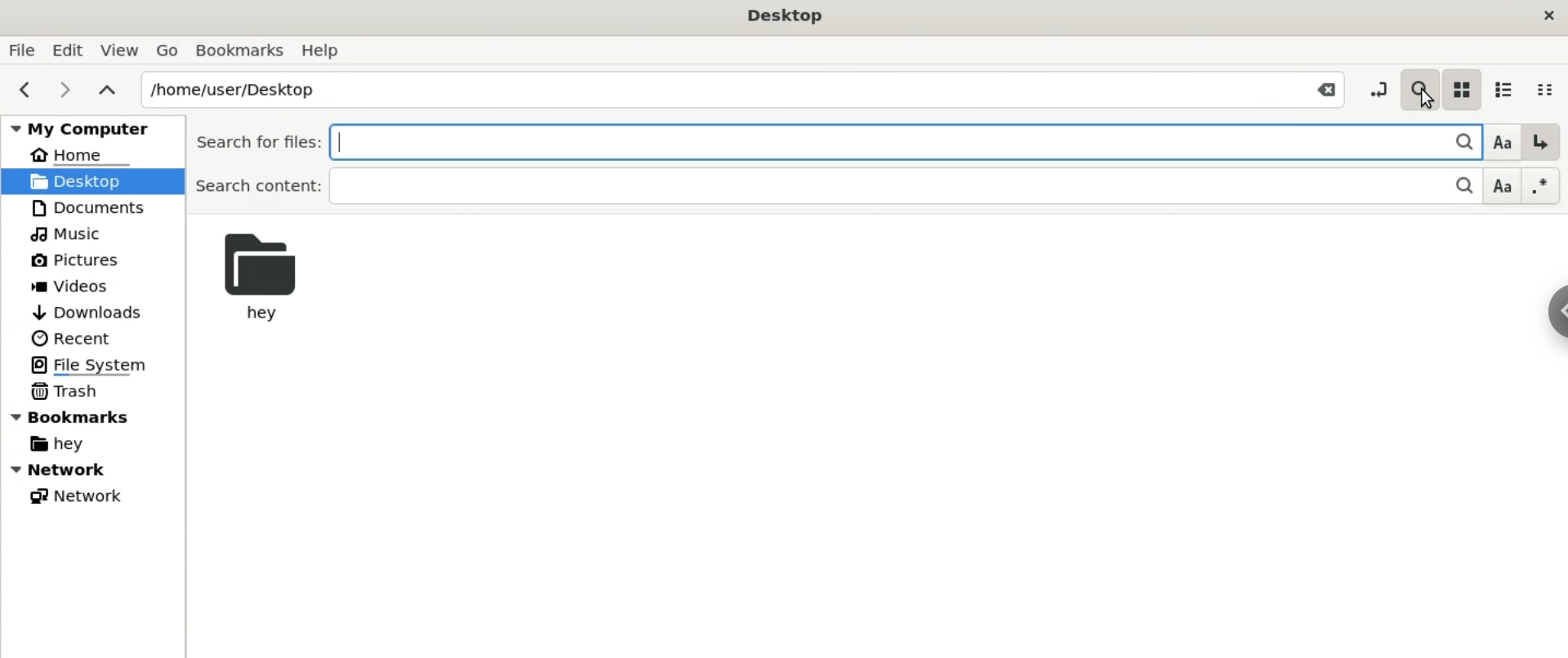  I want to click on Network, so click(93, 469).